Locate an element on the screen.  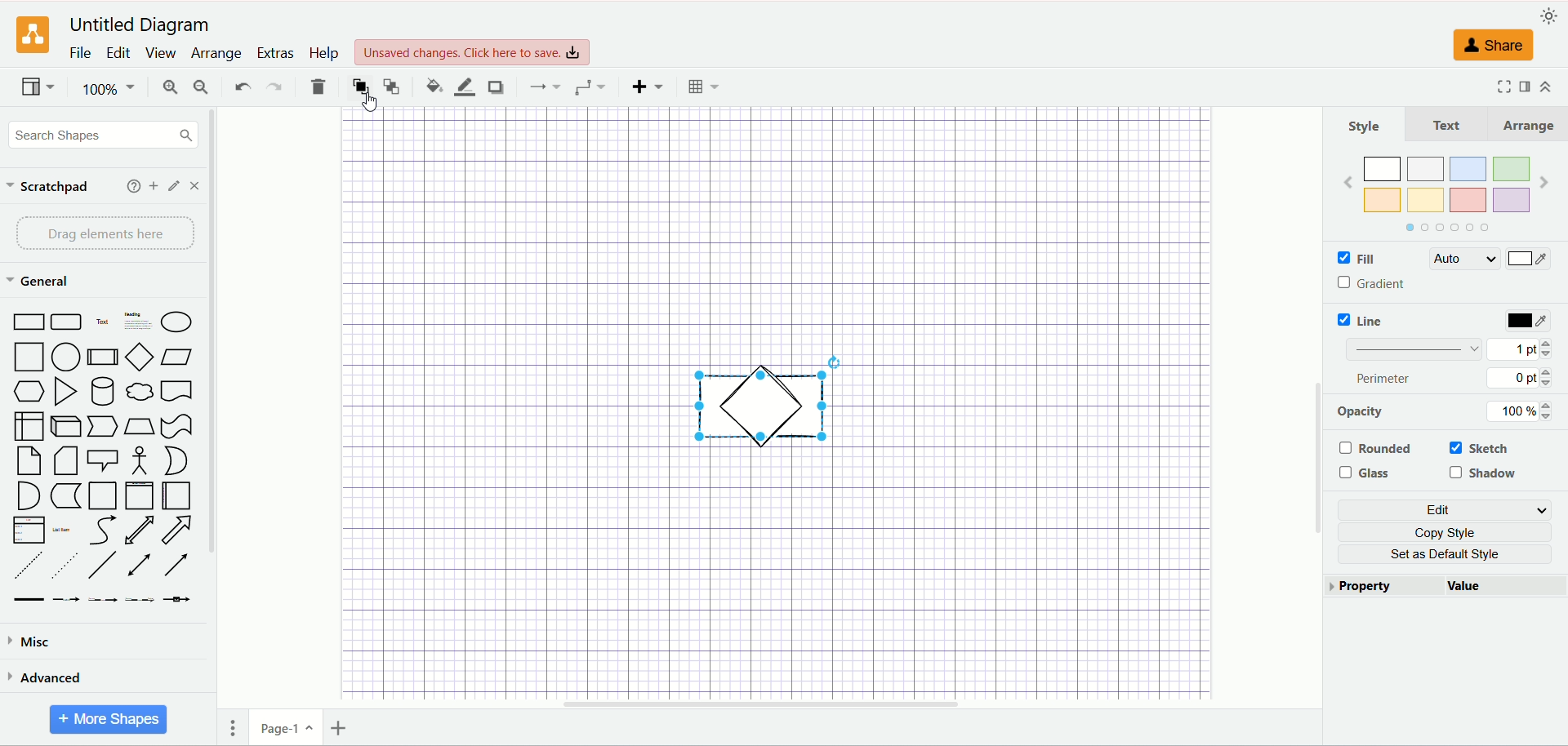
logo is located at coordinates (31, 36).